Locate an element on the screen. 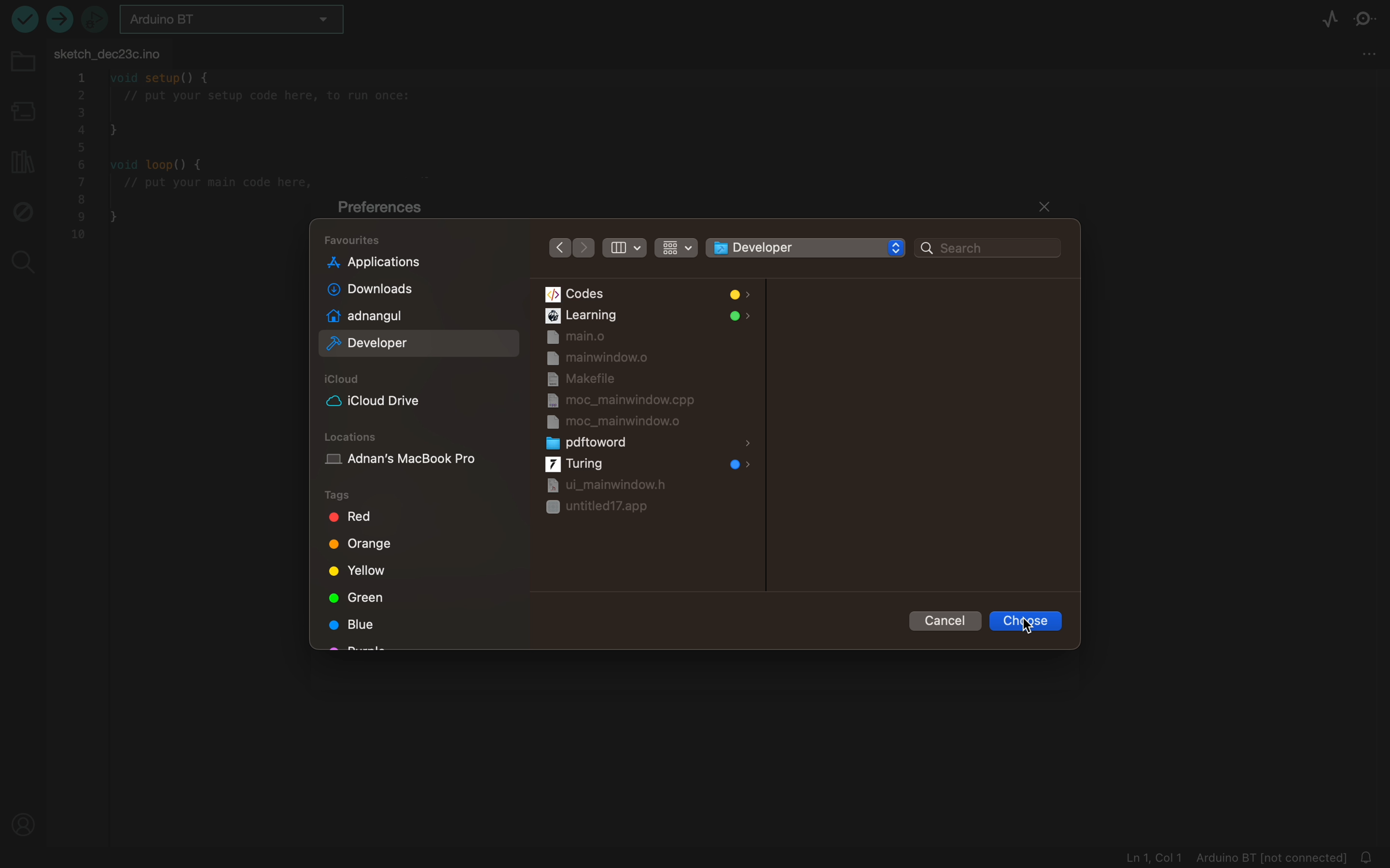  icloud is located at coordinates (376, 395).